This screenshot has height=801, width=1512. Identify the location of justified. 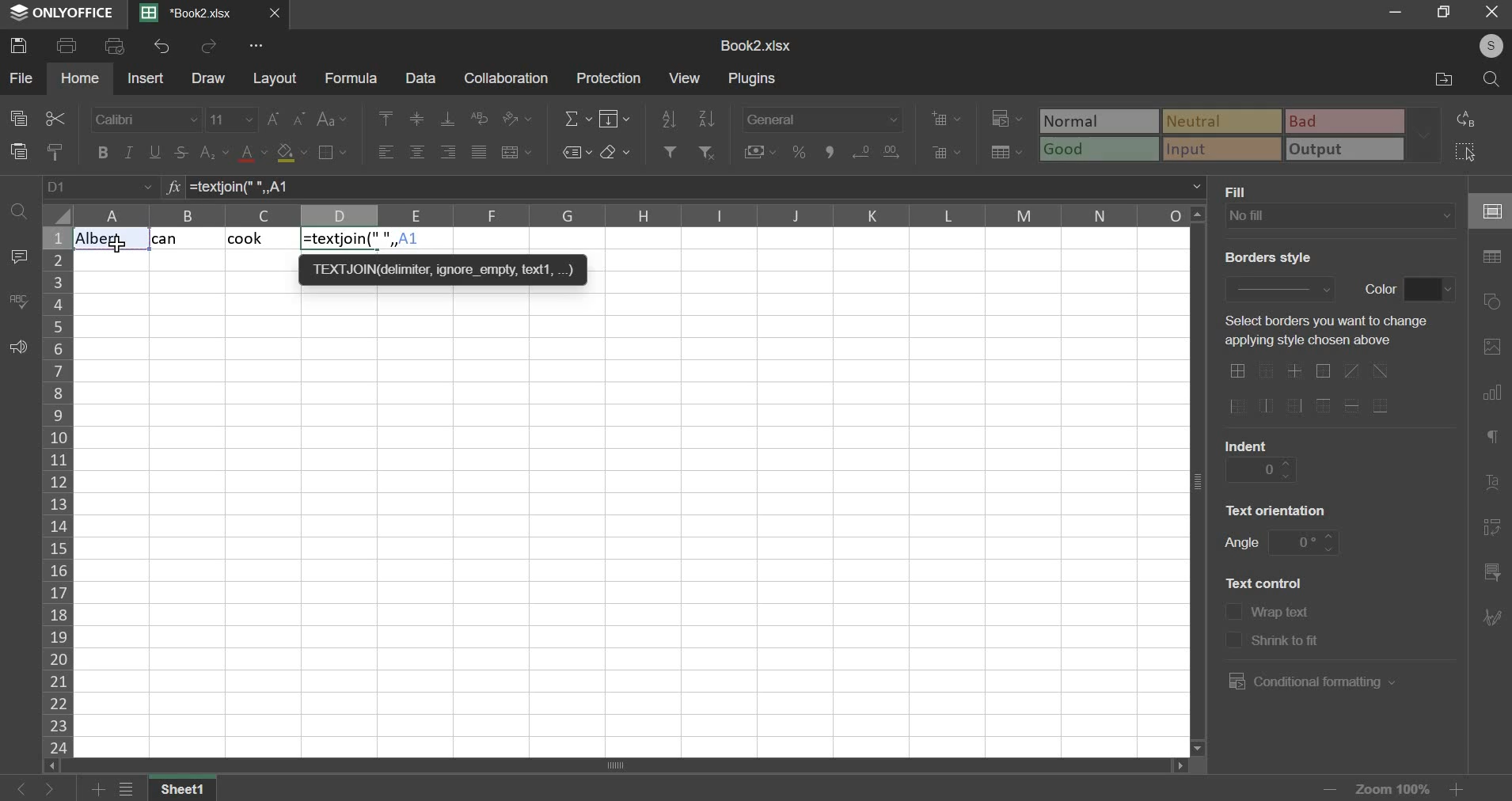
(478, 151).